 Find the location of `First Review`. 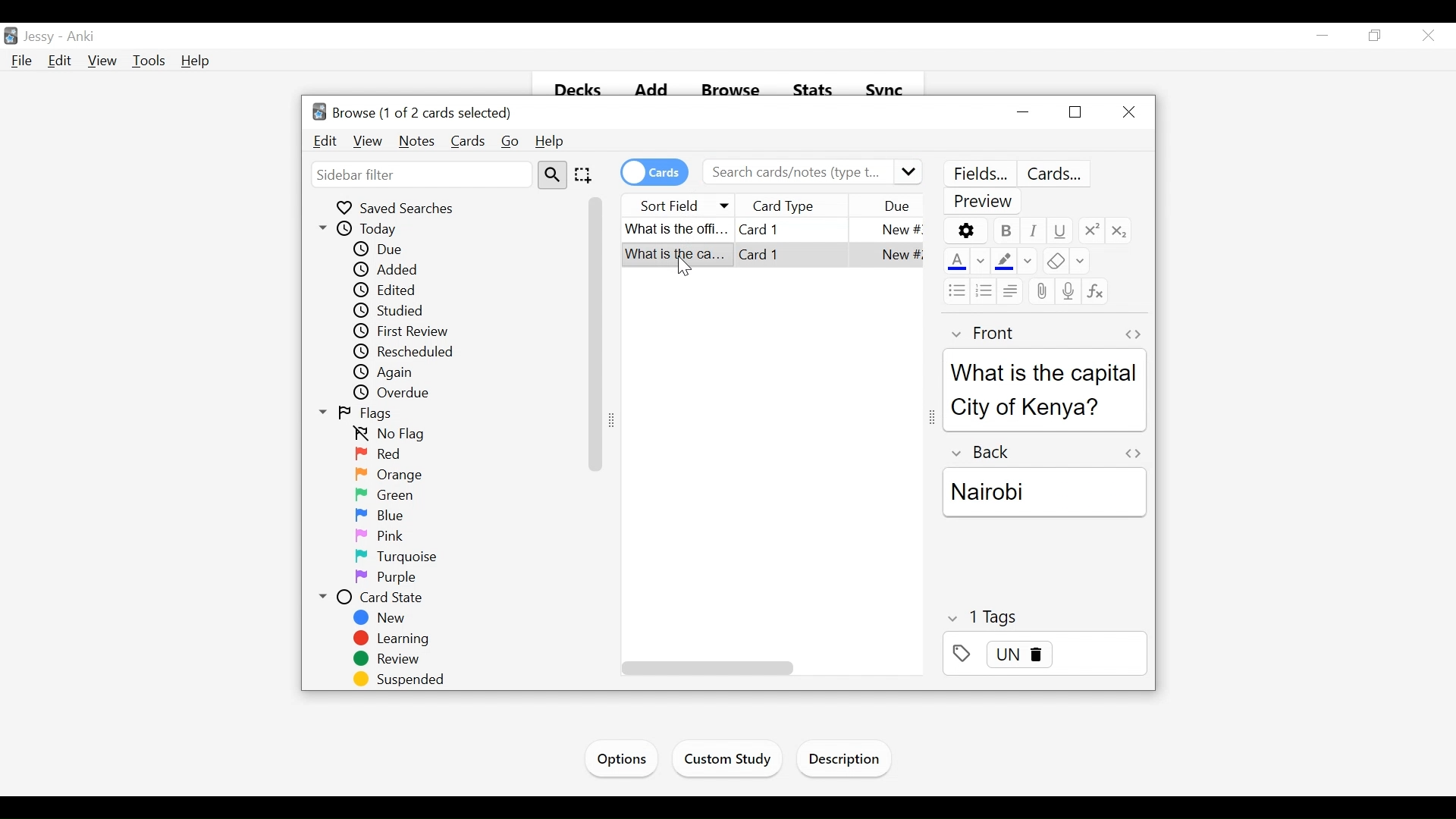

First Review is located at coordinates (408, 331).